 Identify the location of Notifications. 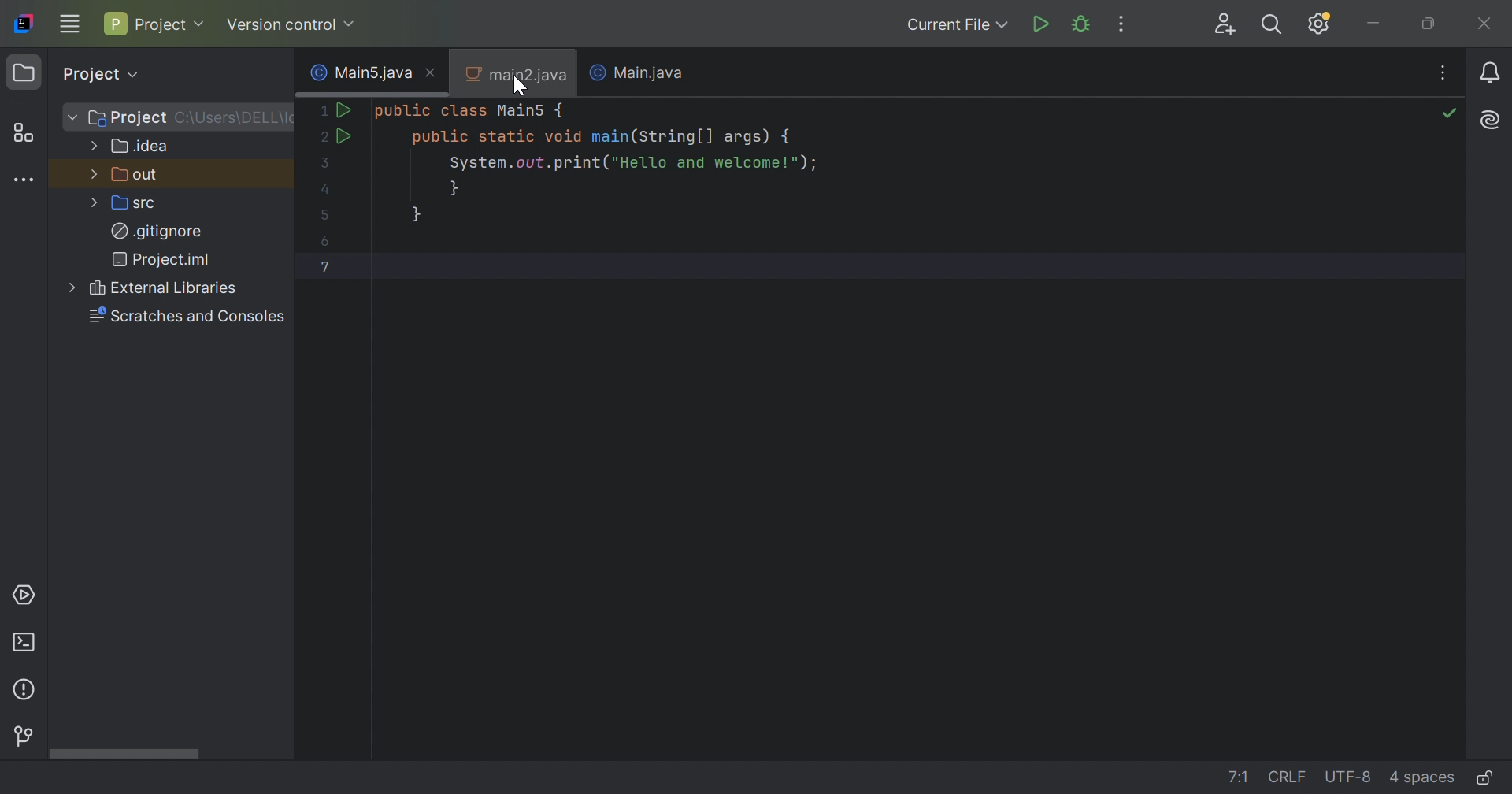
(1491, 72).